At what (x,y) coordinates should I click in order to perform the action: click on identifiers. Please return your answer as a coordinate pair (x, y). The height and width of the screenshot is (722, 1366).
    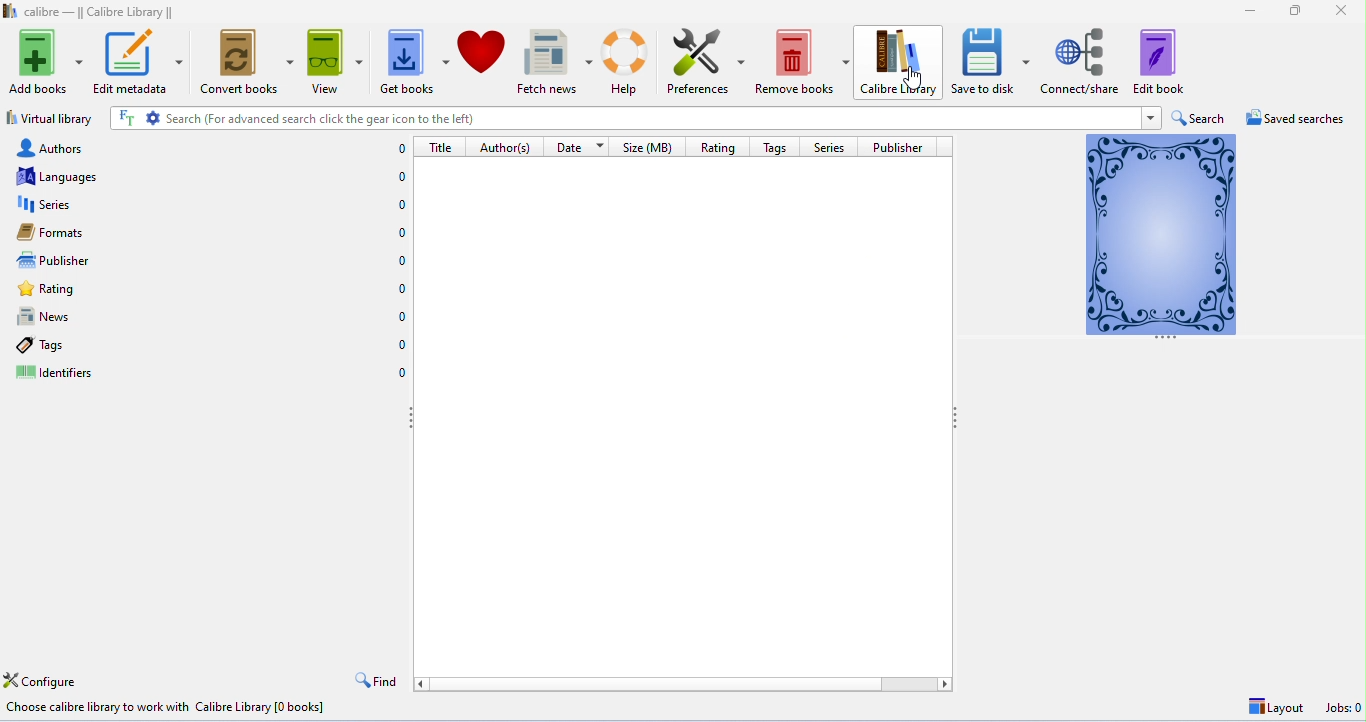
    Looking at the image, I should click on (210, 372).